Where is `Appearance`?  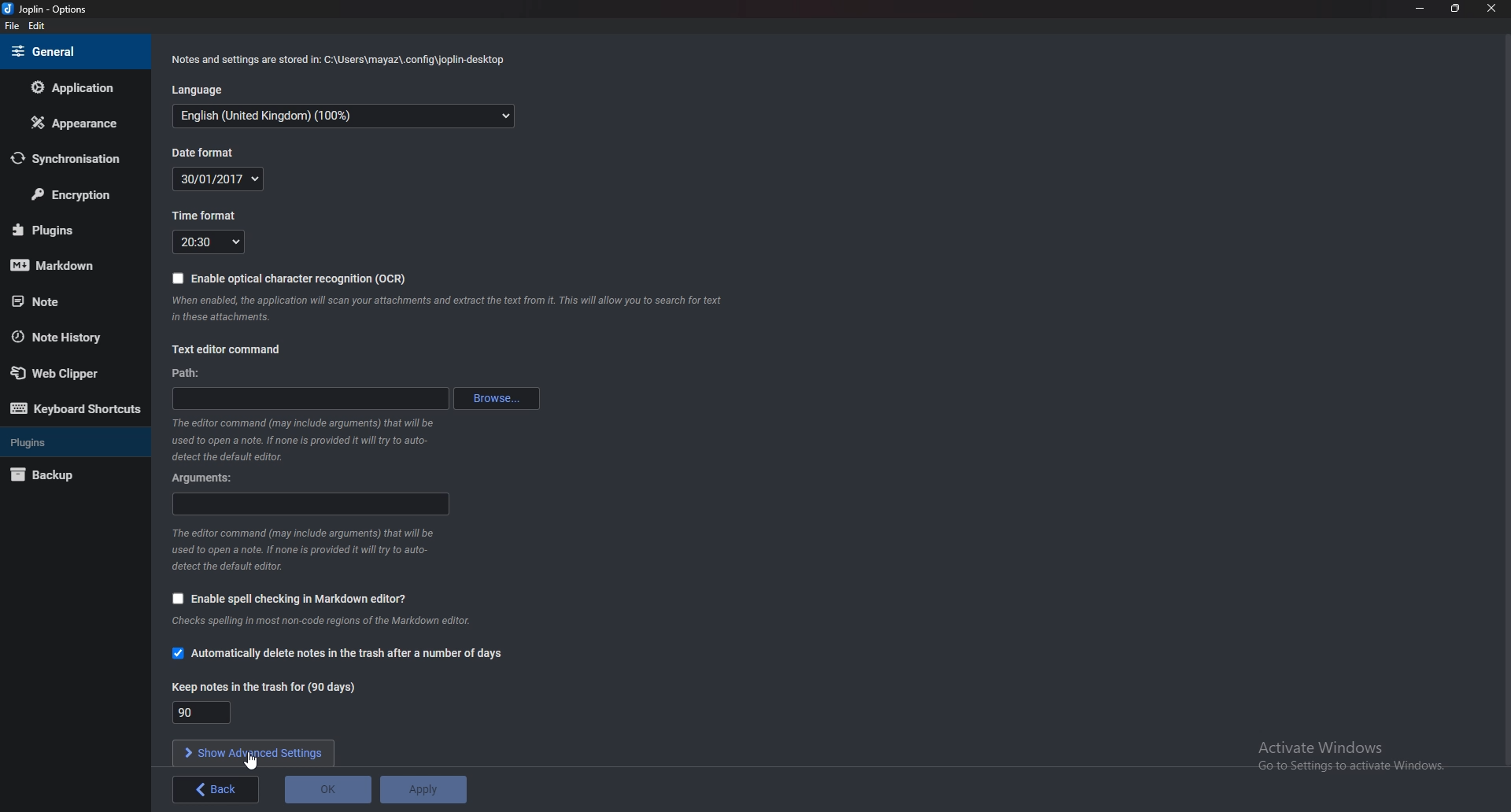 Appearance is located at coordinates (72, 123).